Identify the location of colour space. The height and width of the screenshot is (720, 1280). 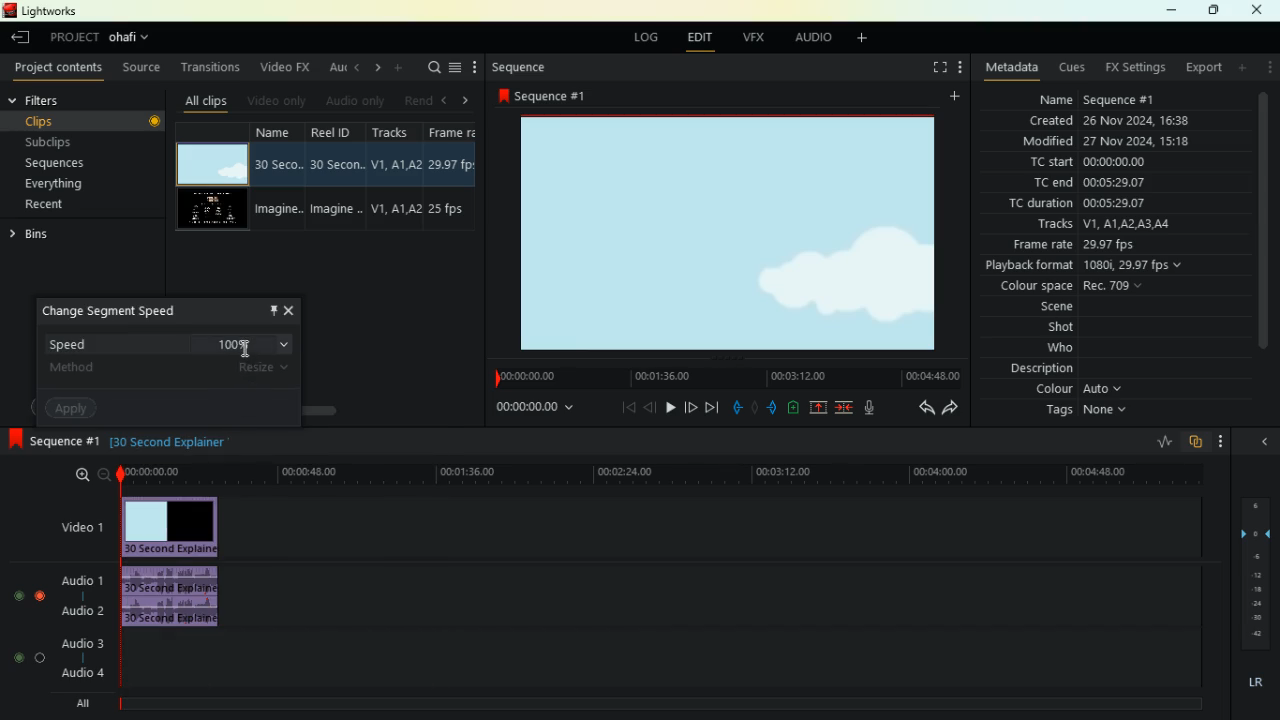
(1071, 287).